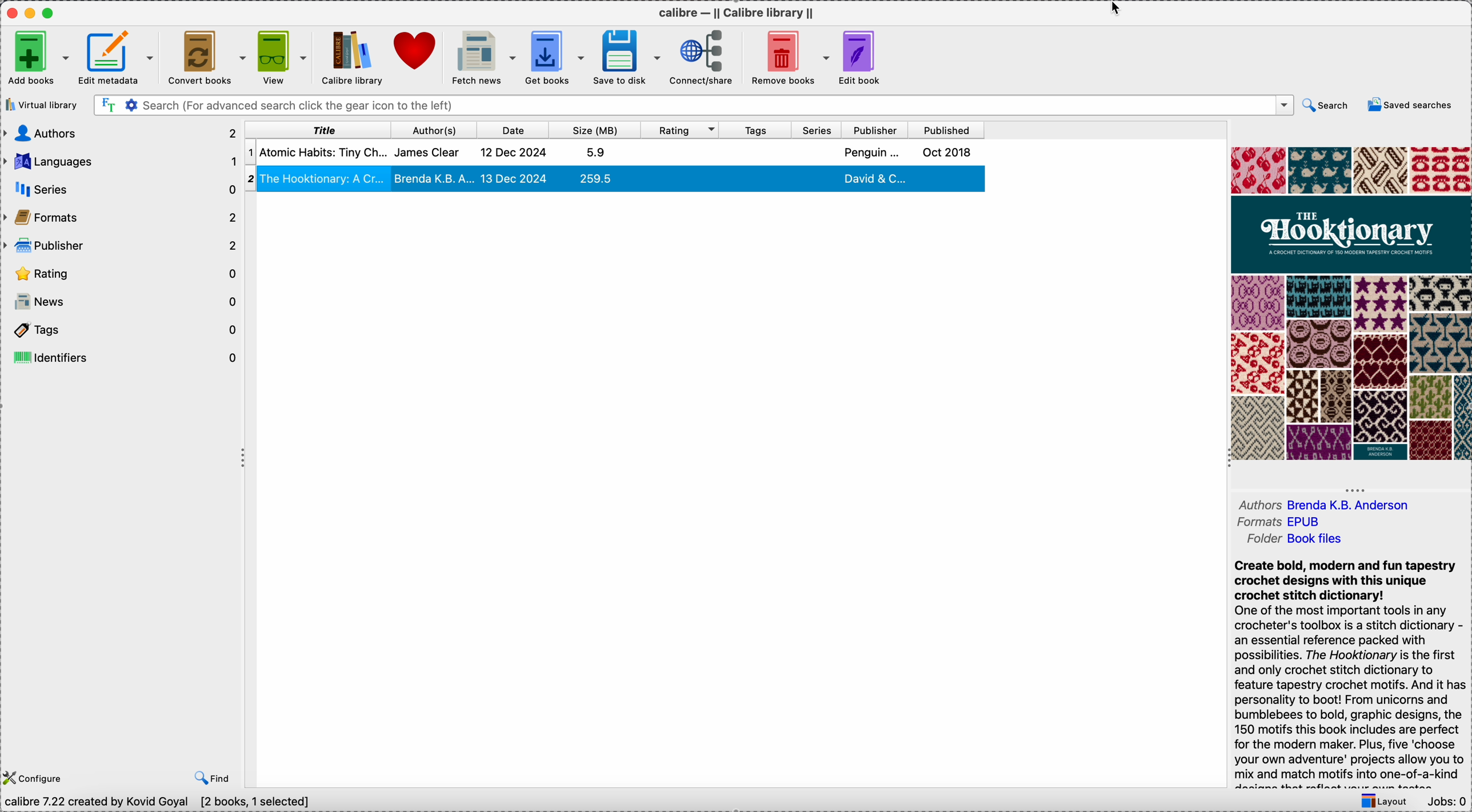 The width and height of the screenshot is (1472, 812). What do you see at coordinates (516, 130) in the screenshot?
I see `date` at bounding box center [516, 130].